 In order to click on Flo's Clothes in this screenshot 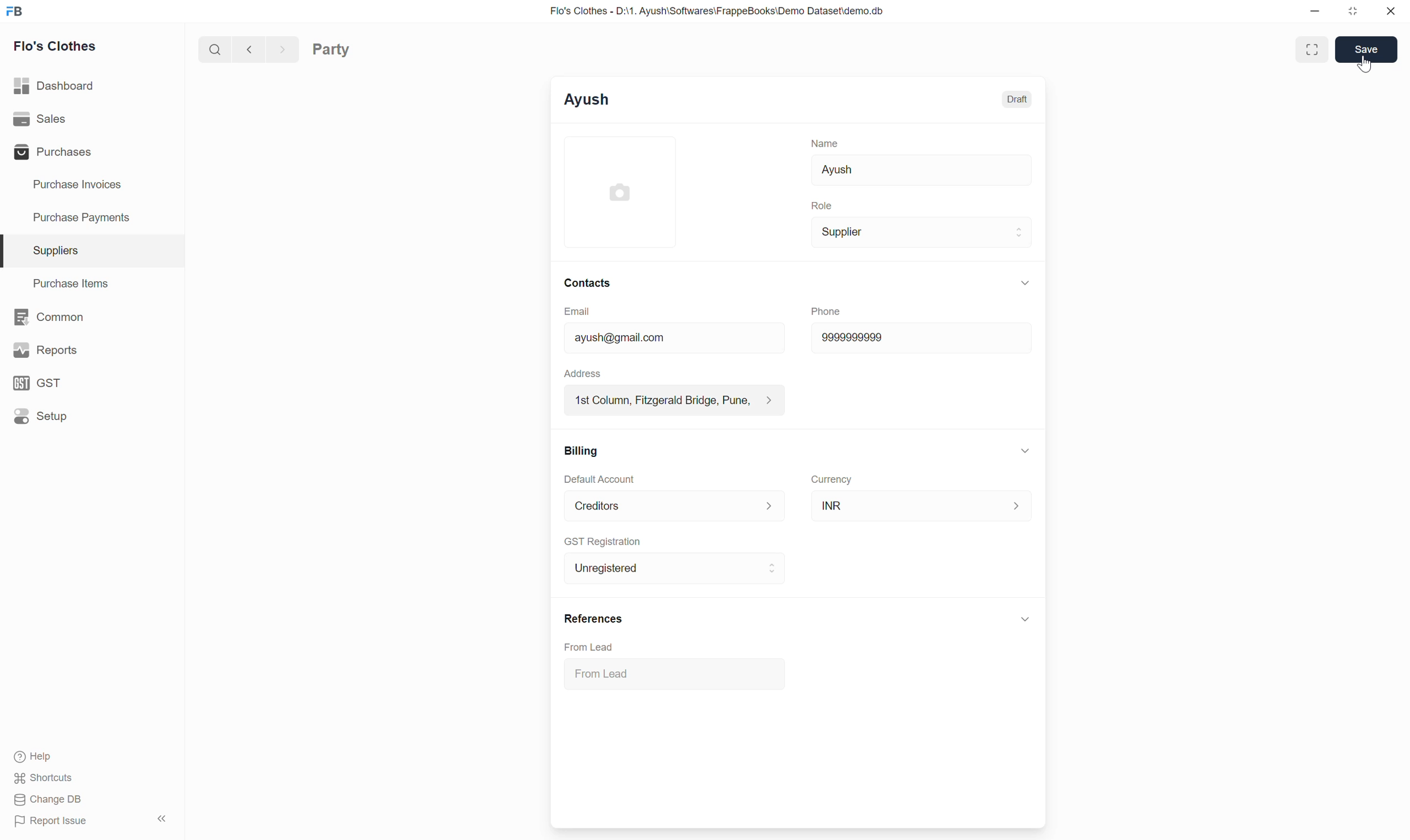, I will do `click(55, 45)`.